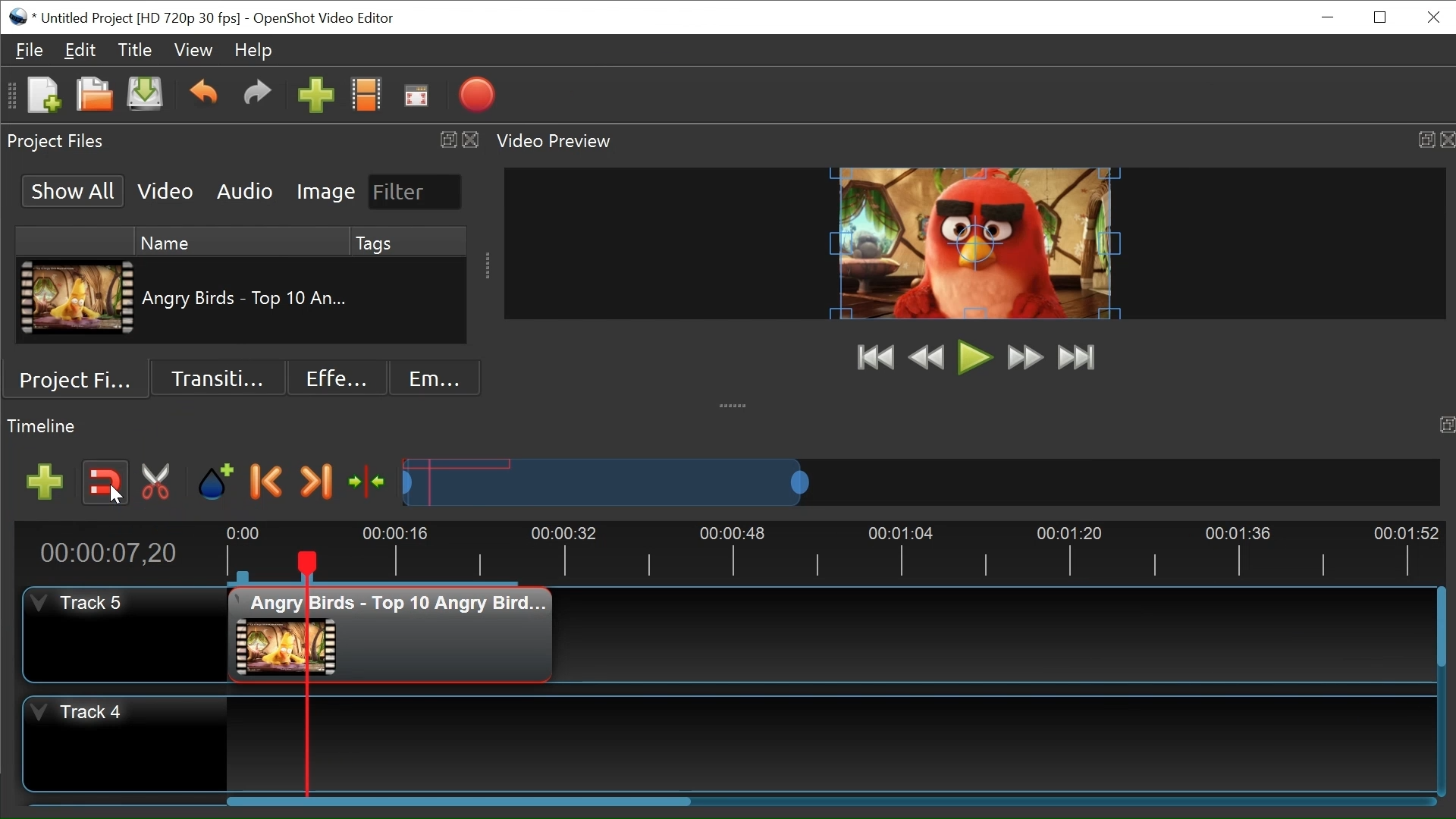 The image size is (1456, 819). I want to click on Clip, so click(76, 297).